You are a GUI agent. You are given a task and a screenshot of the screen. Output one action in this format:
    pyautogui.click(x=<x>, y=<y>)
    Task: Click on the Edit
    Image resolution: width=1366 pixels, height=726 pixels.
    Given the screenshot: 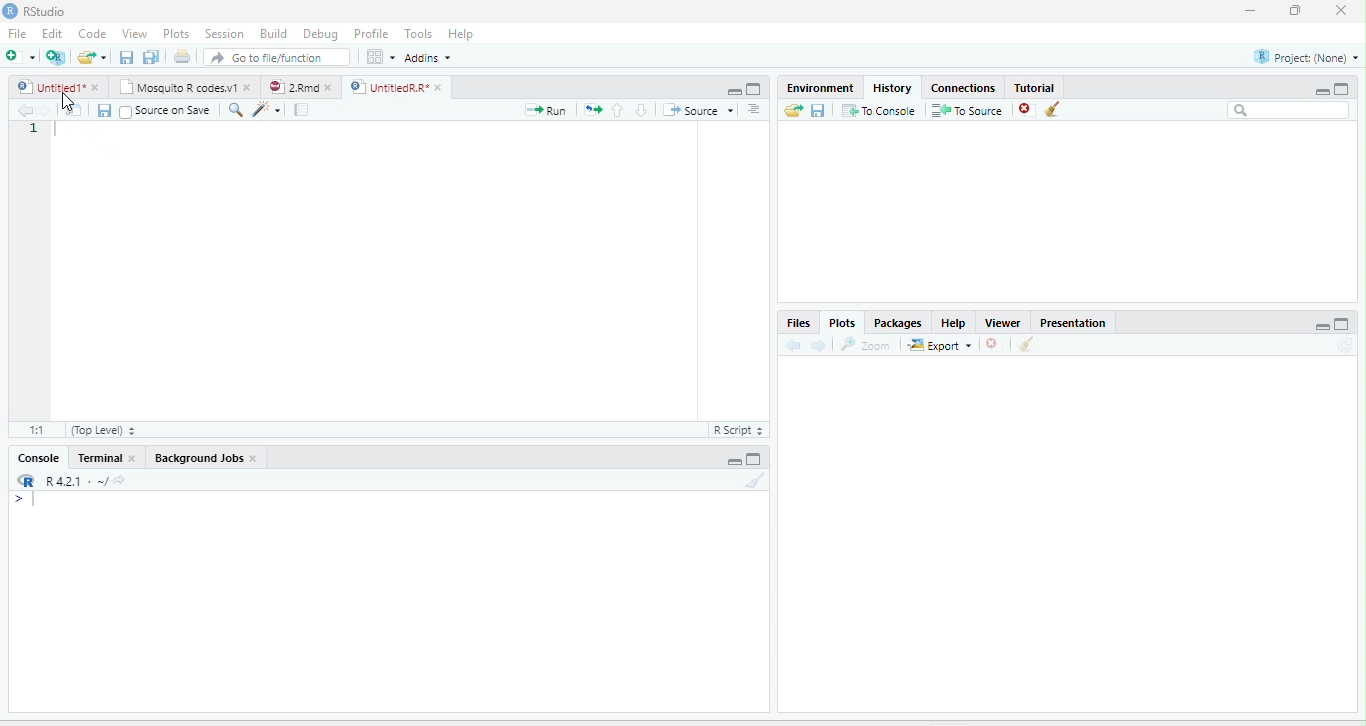 What is the action you would take?
    pyautogui.click(x=51, y=33)
    